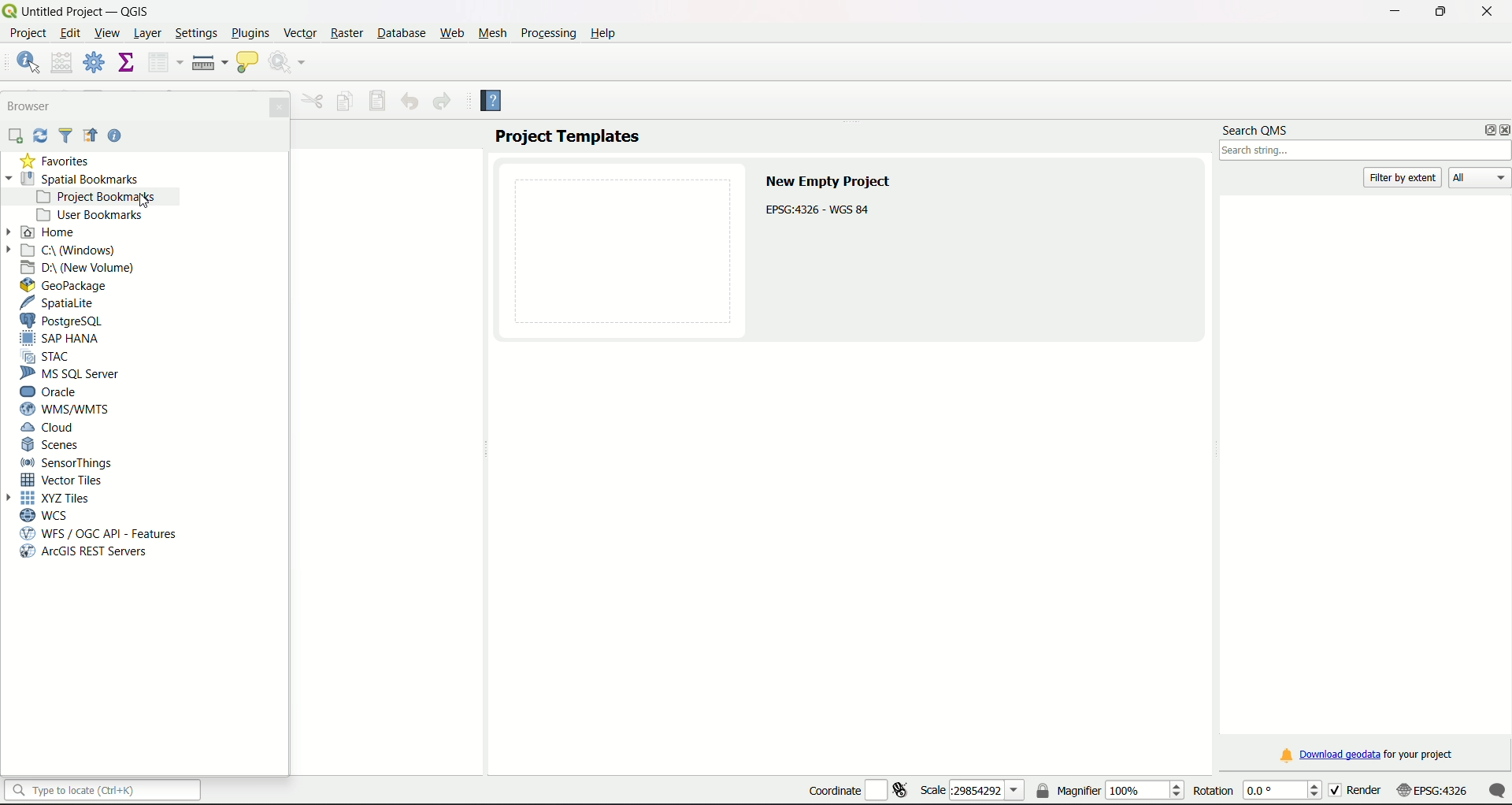  What do you see at coordinates (442, 102) in the screenshot?
I see `Redo` at bounding box center [442, 102].